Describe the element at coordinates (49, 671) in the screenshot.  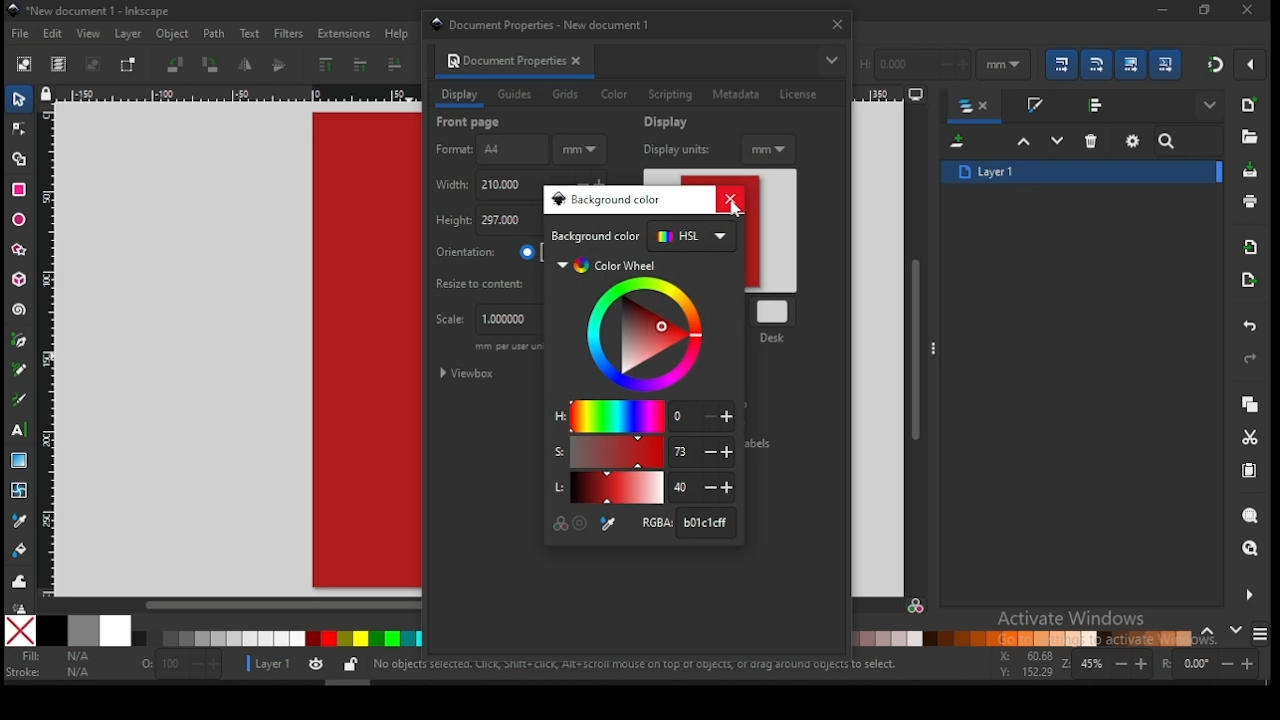
I see `stroke color` at that location.